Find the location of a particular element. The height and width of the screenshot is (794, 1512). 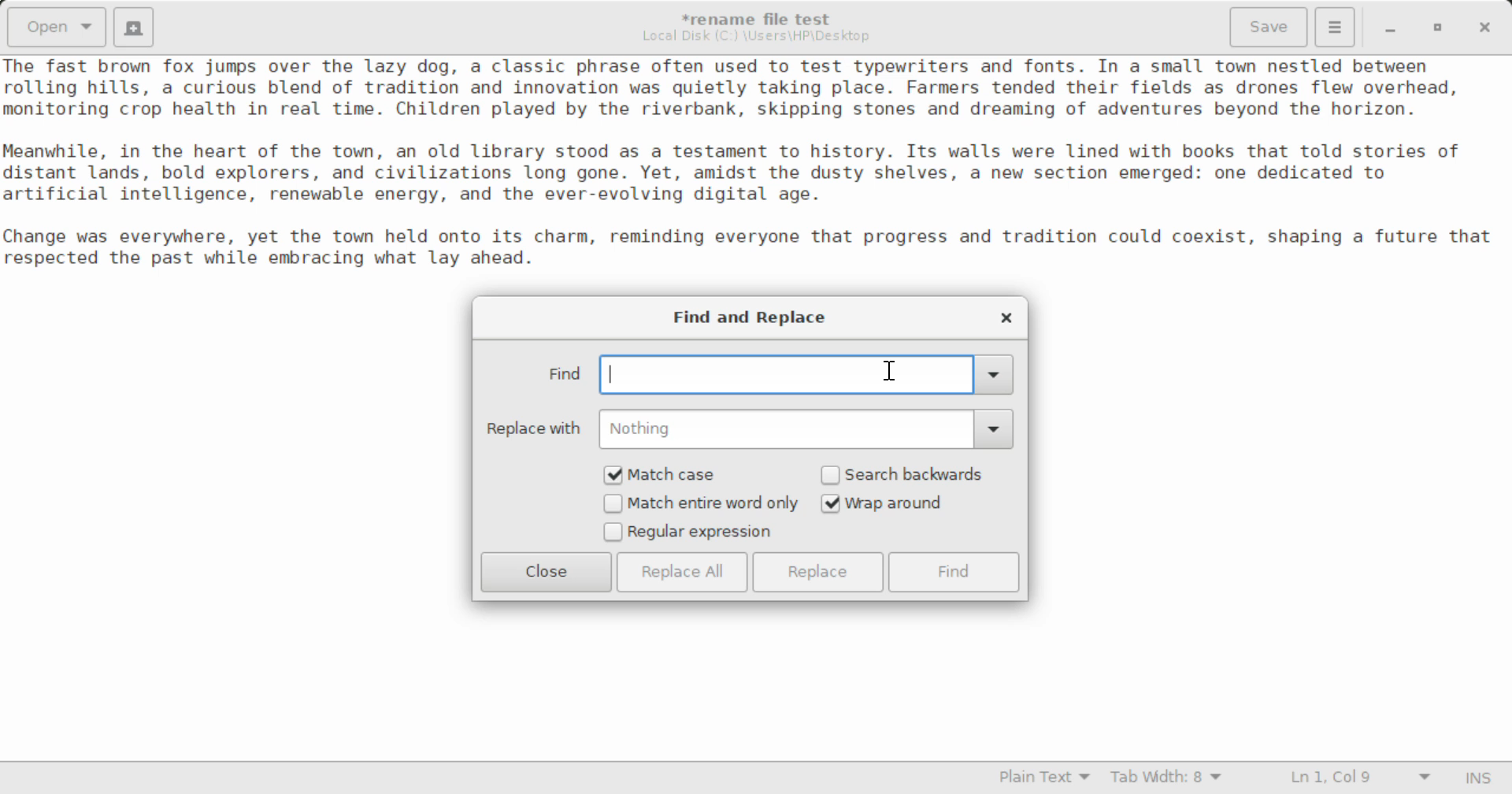

Create New Document is located at coordinates (136, 27).